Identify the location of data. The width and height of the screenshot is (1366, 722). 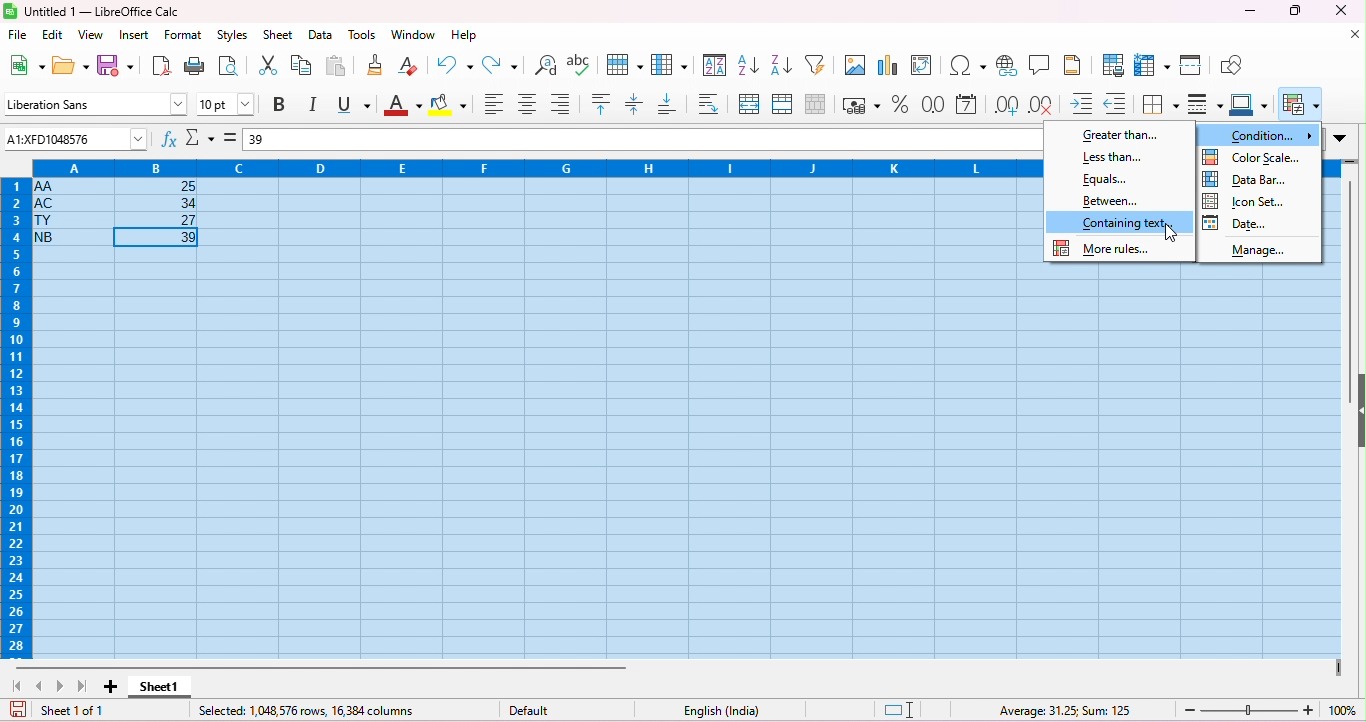
(320, 36).